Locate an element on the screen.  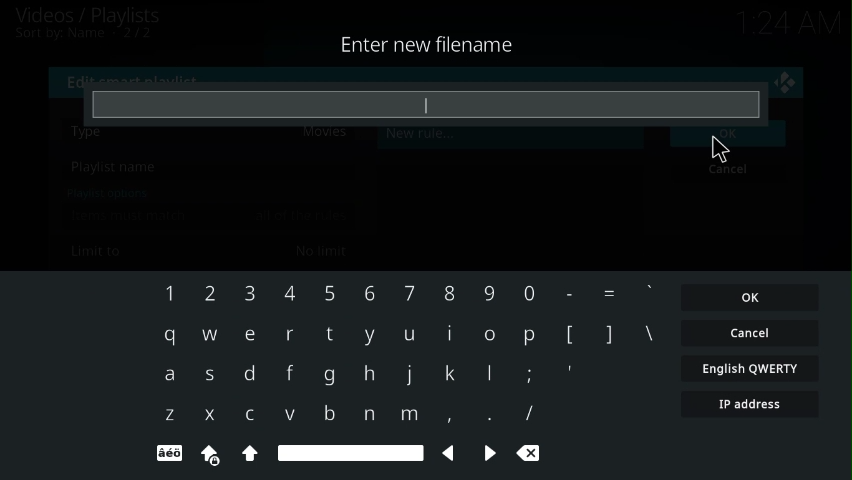
all of the rules is located at coordinates (301, 214).